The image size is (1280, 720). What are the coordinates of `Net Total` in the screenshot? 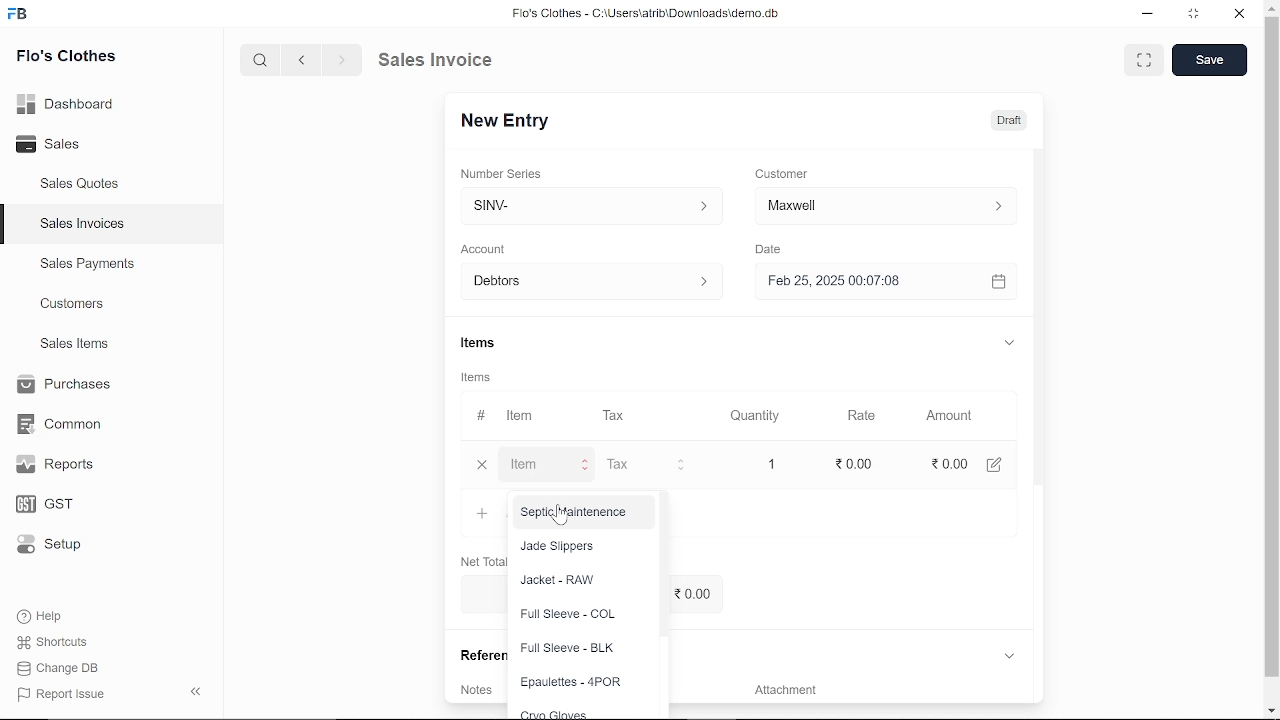 It's located at (485, 561).